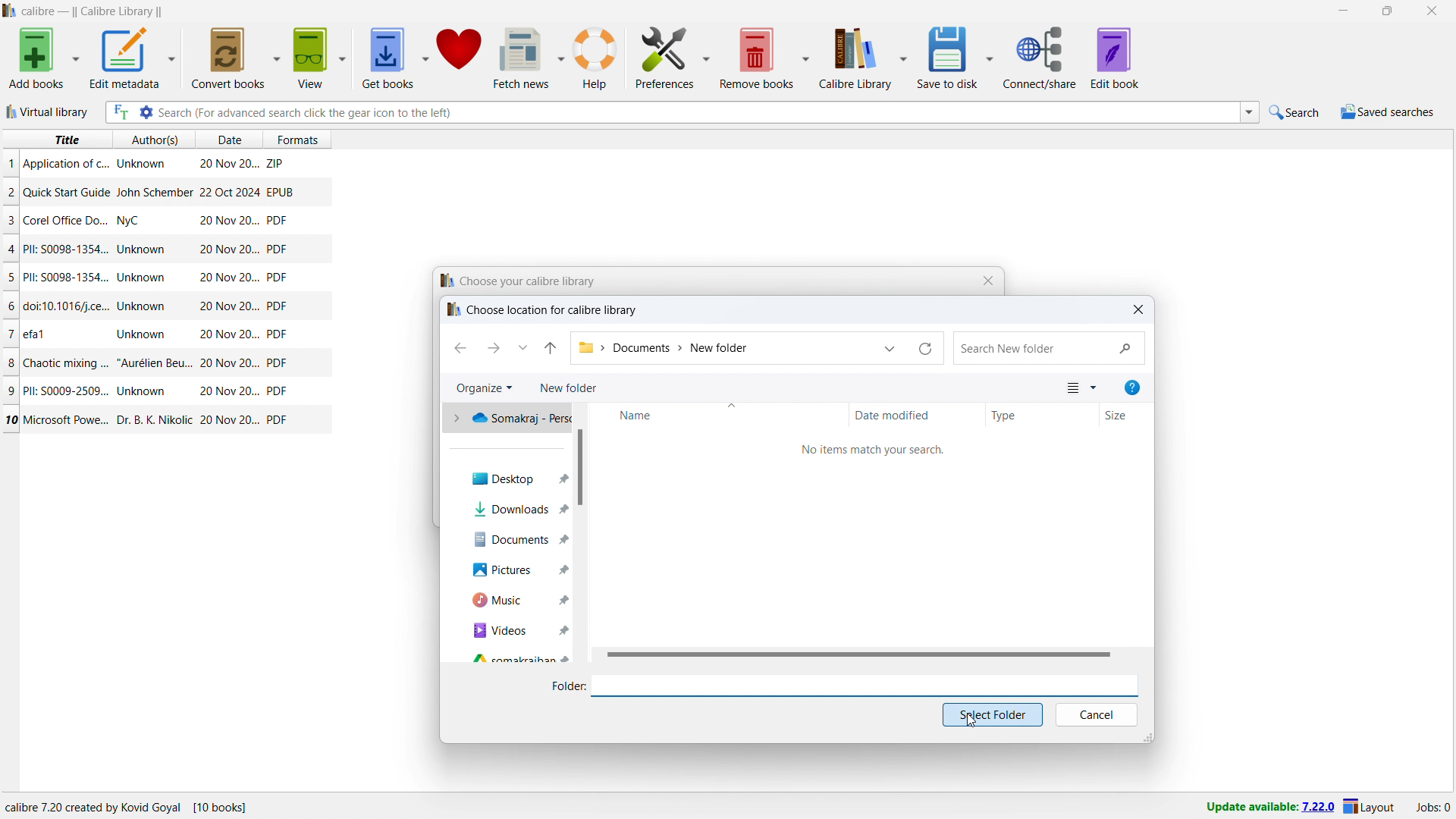  Describe the element at coordinates (698, 112) in the screenshot. I see `enter search string` at that location.